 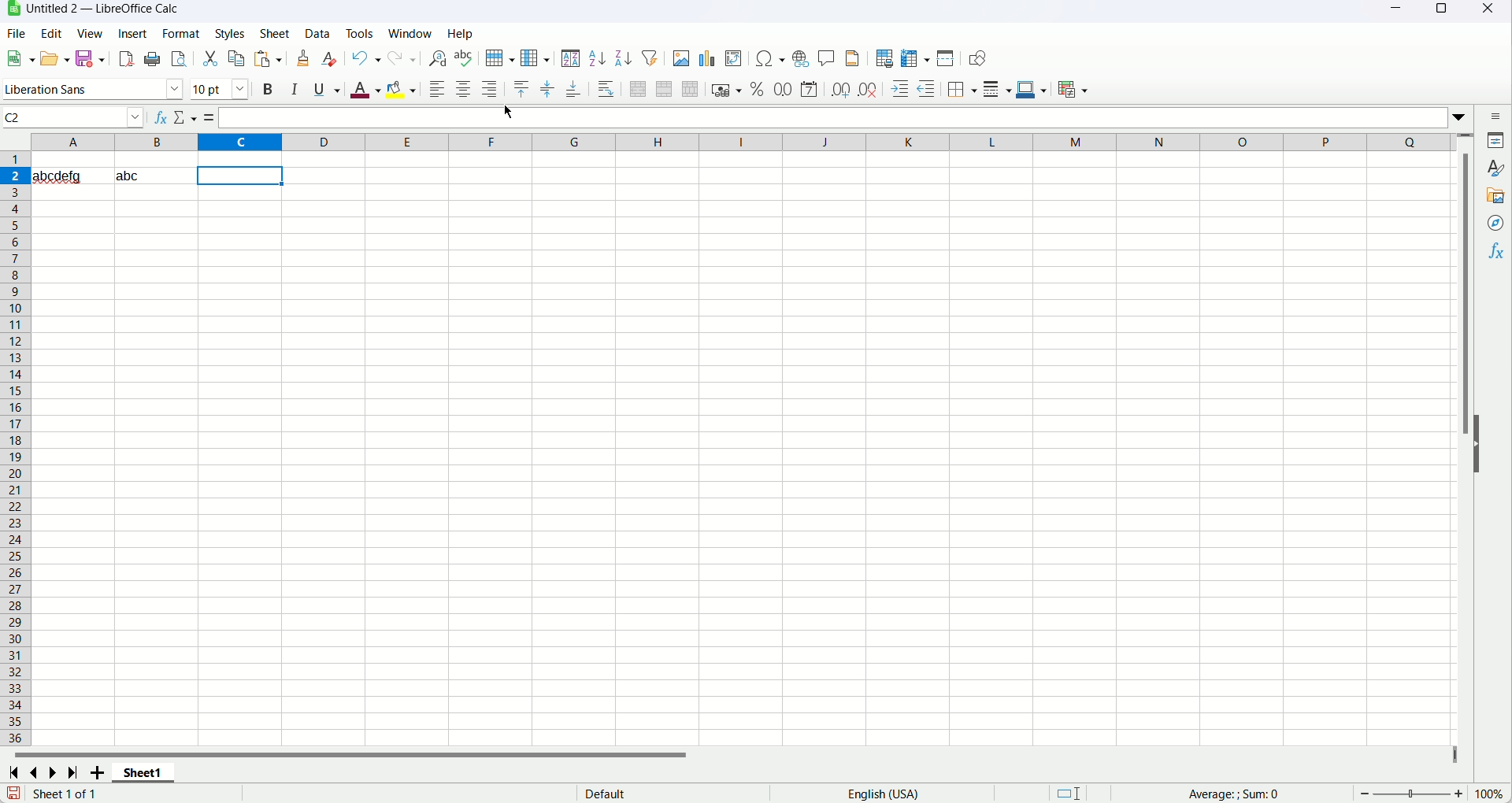 What do you see at coordinates (1495, 116) in the screenshot?
I see `sidebar settings` at bounding box center [1495, 116].